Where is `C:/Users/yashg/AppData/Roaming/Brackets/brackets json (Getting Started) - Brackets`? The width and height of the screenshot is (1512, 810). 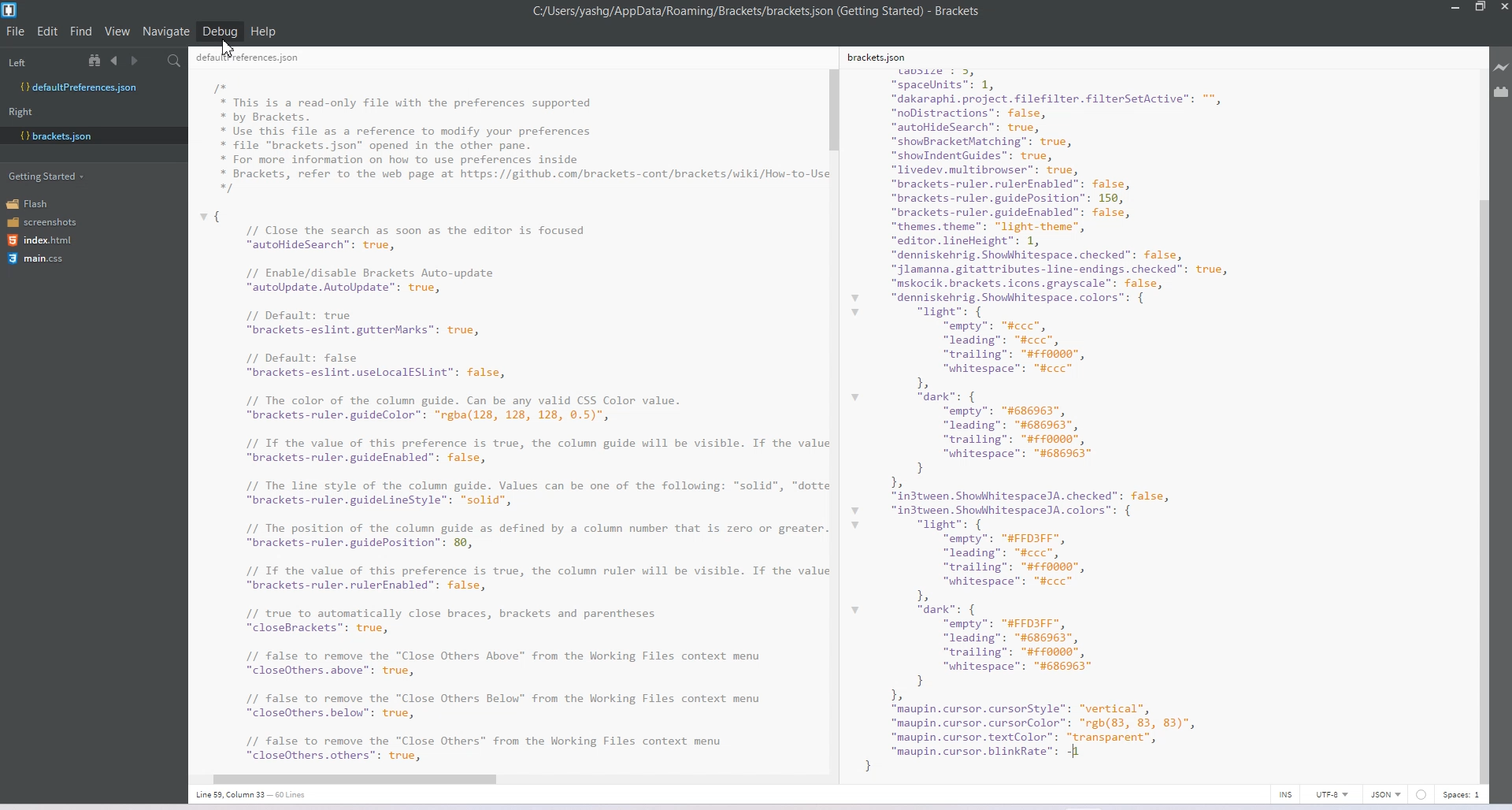 C:/Users/yashg/AppData/Roaming/Brackets/brackets json (Getting Started) - Brackets is located at coordinates (758, 11).